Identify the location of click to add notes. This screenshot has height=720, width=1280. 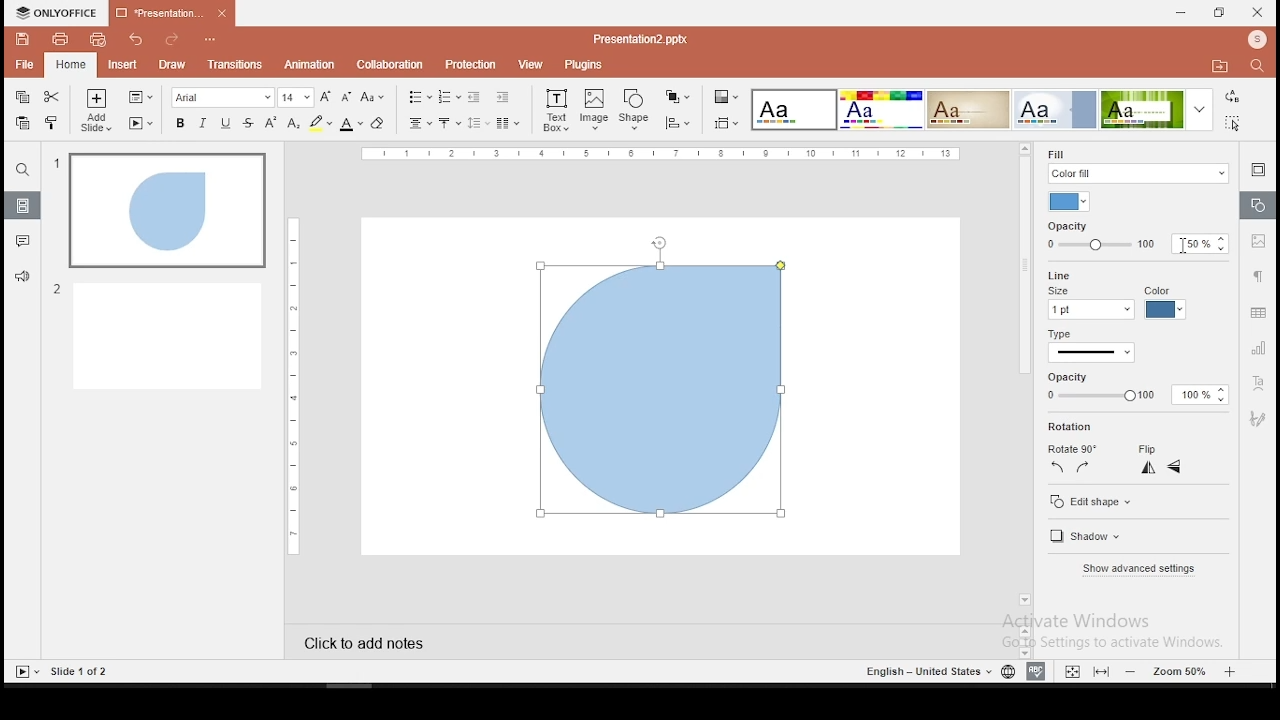
(380, 640).